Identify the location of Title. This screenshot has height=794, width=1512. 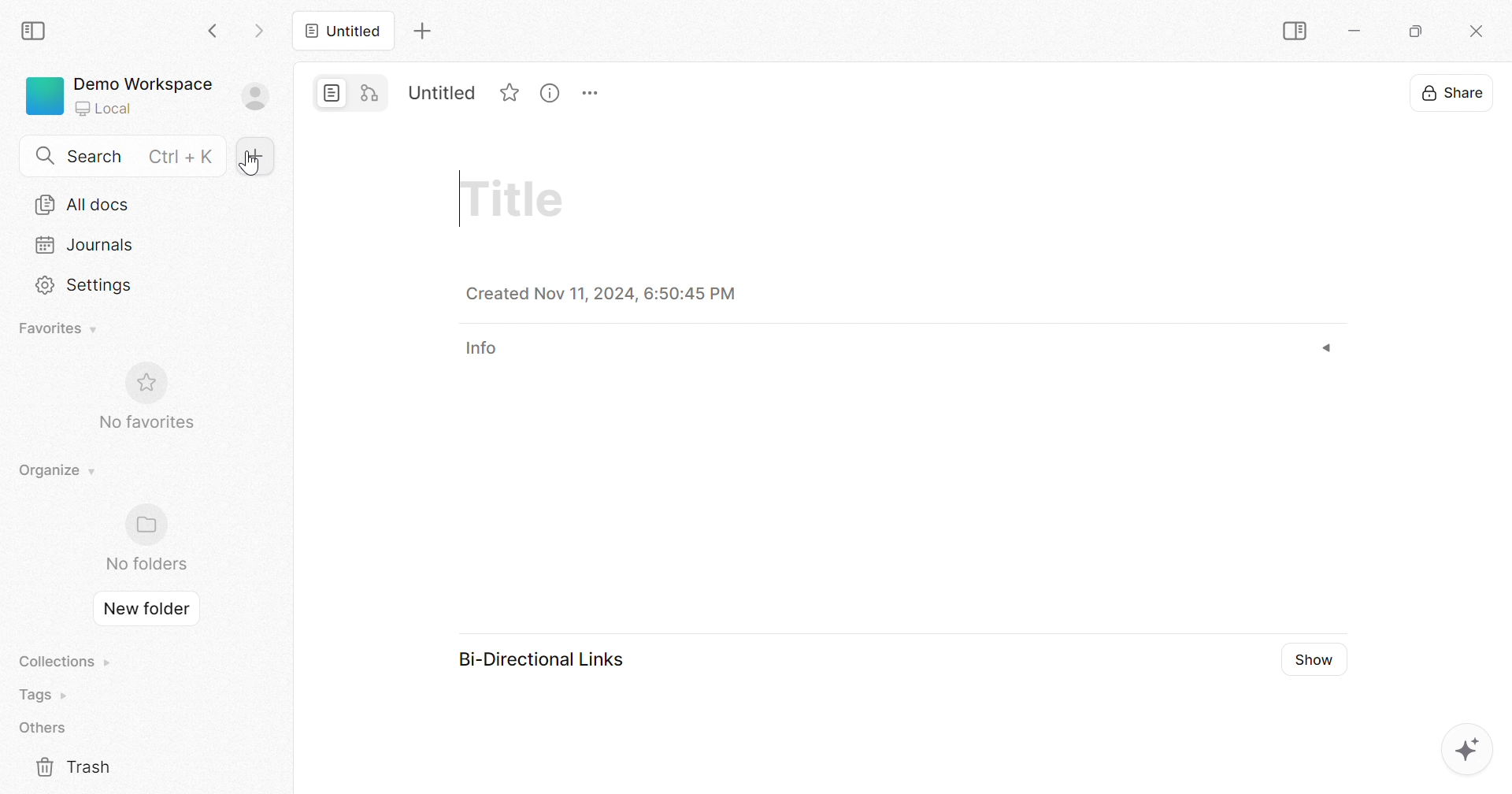
(516, 199).